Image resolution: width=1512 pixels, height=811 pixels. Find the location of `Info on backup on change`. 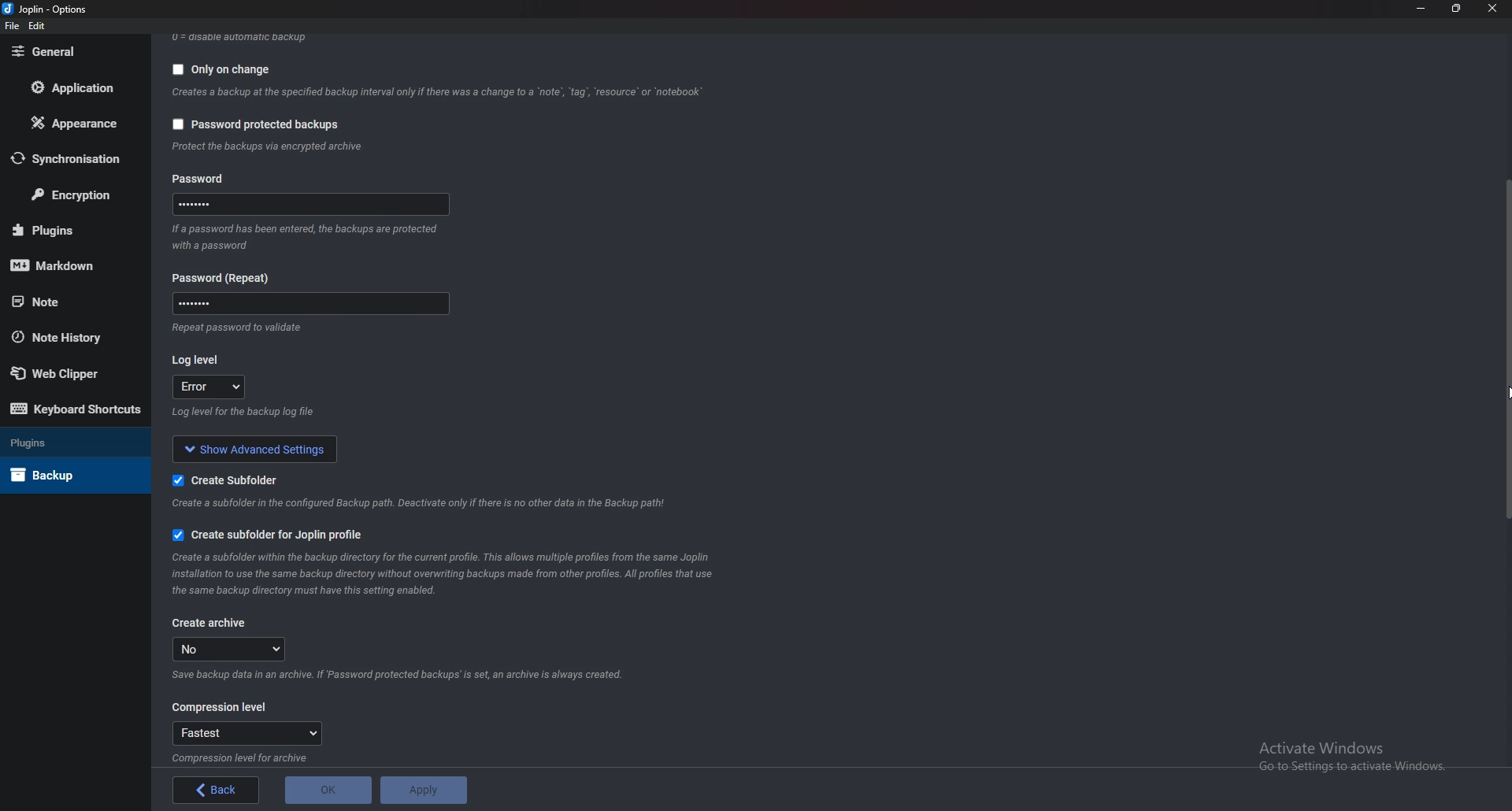

Info on backup on change is located at coordinates (435, 94).